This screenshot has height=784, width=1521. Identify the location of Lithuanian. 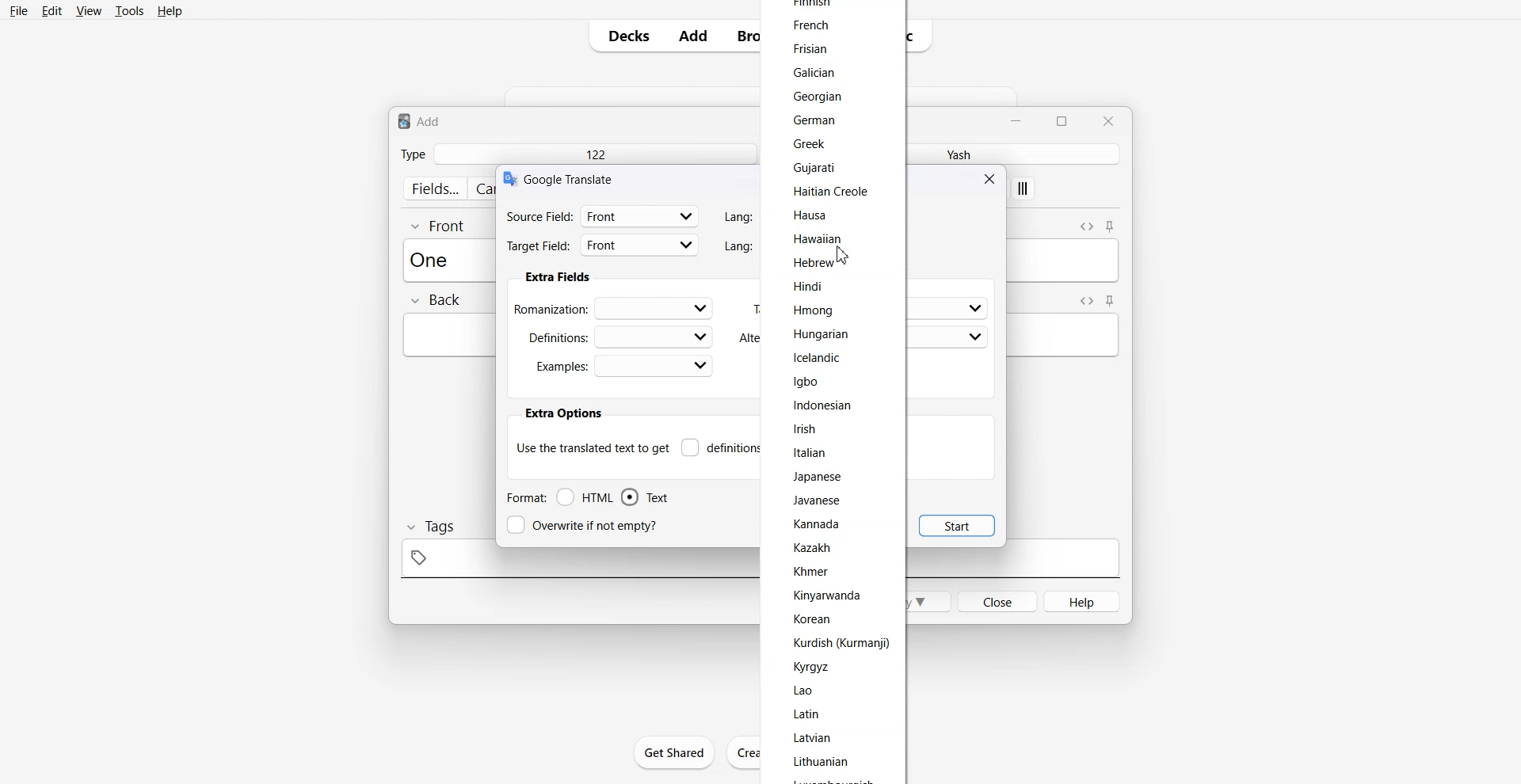
(822, 762).